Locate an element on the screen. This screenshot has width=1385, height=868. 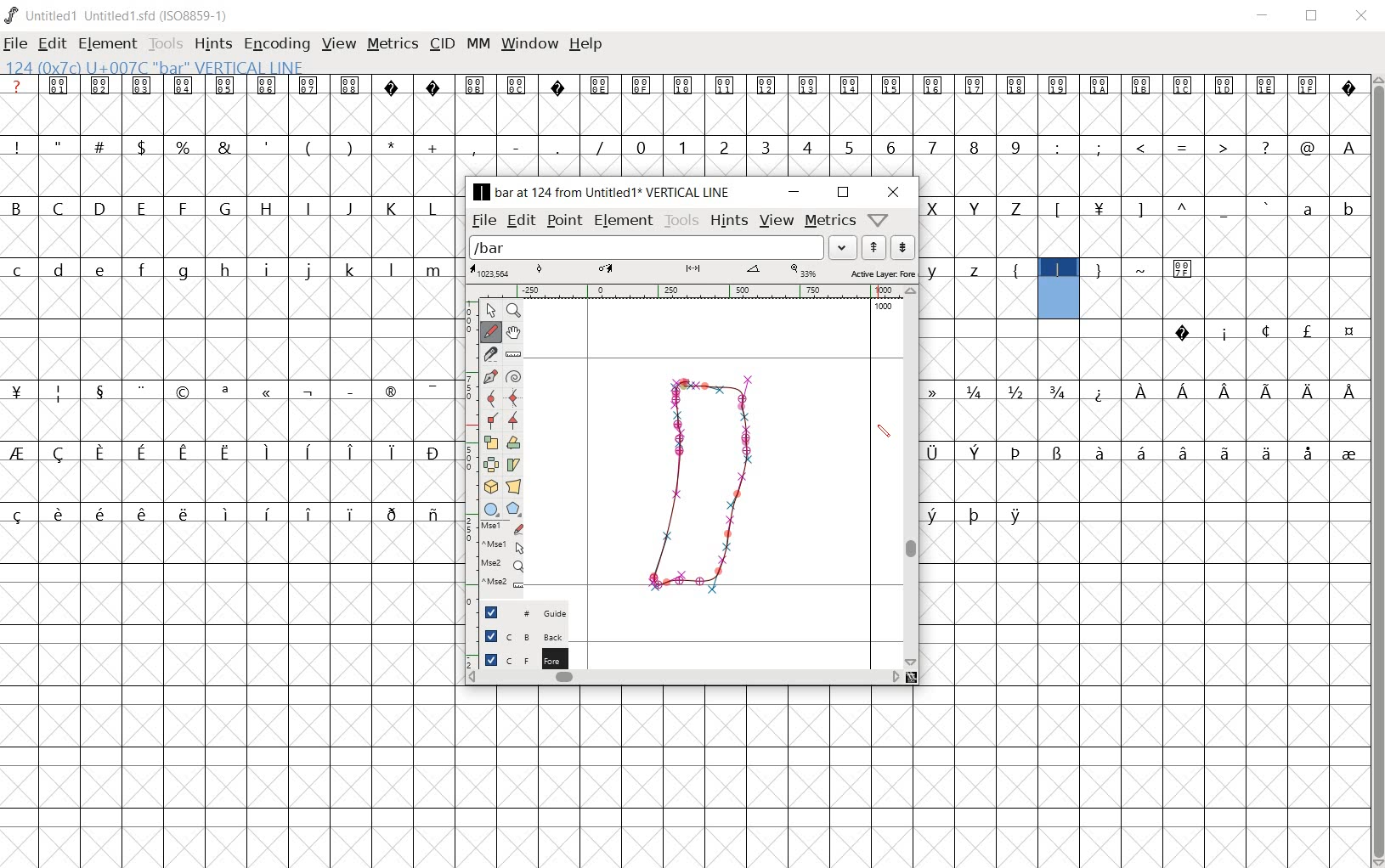
special letters is located at coordinates (975, 514).